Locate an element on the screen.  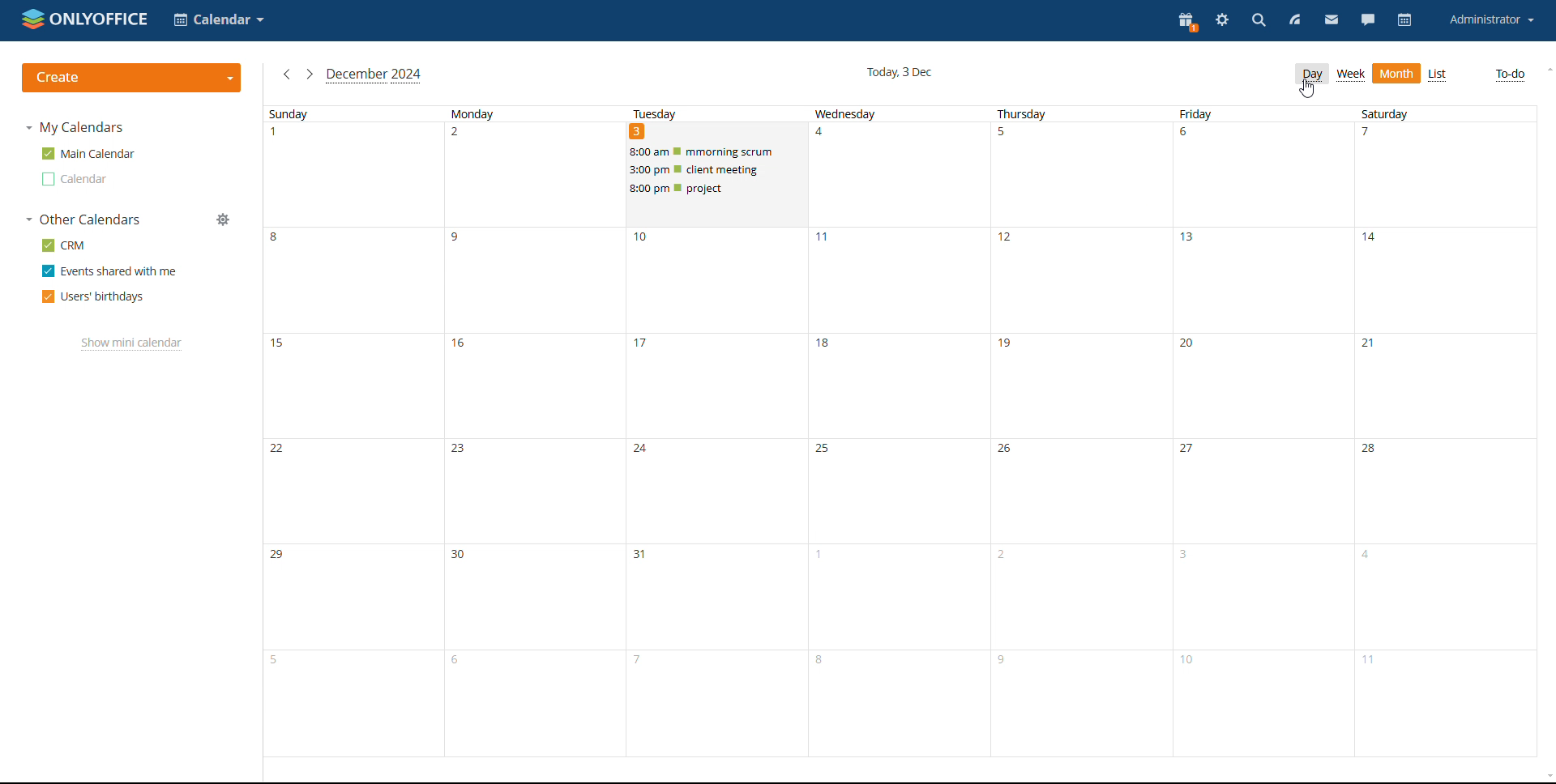
friday is located at coordinates (1263, 431).